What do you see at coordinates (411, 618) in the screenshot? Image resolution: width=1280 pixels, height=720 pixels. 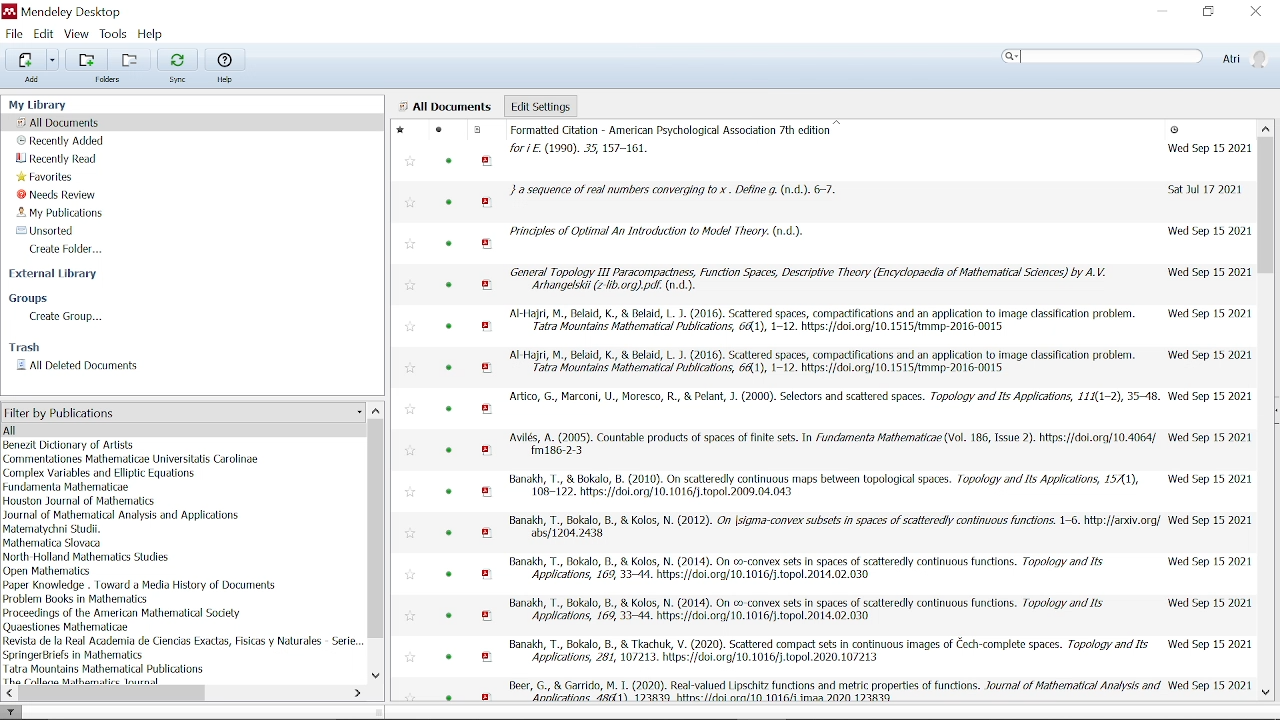 I see `favourite` at bounding box center [411, 618].